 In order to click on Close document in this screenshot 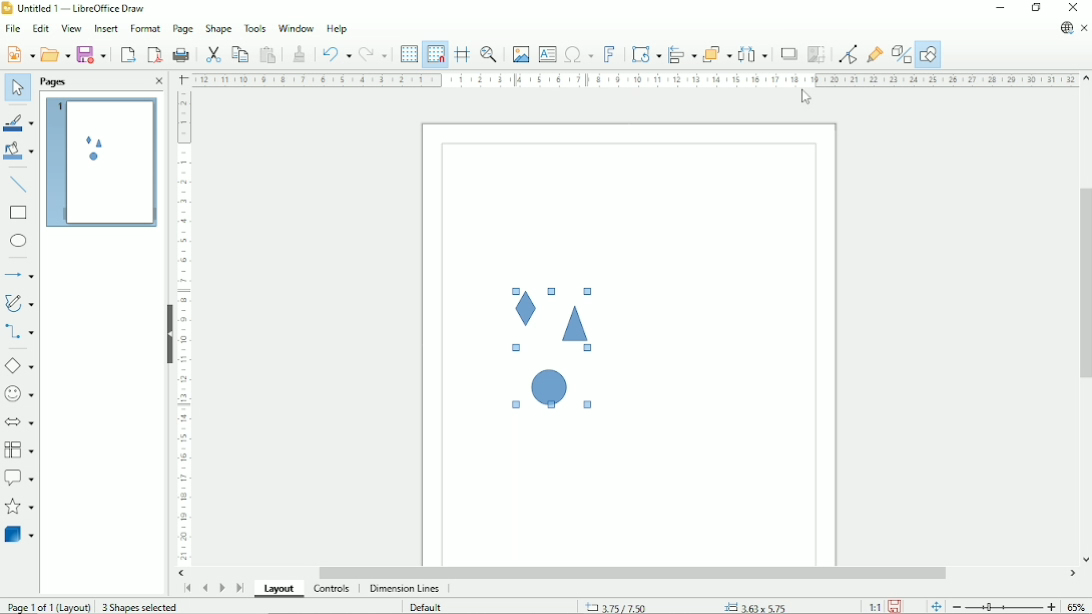, I will do `click(1084, 28)`.